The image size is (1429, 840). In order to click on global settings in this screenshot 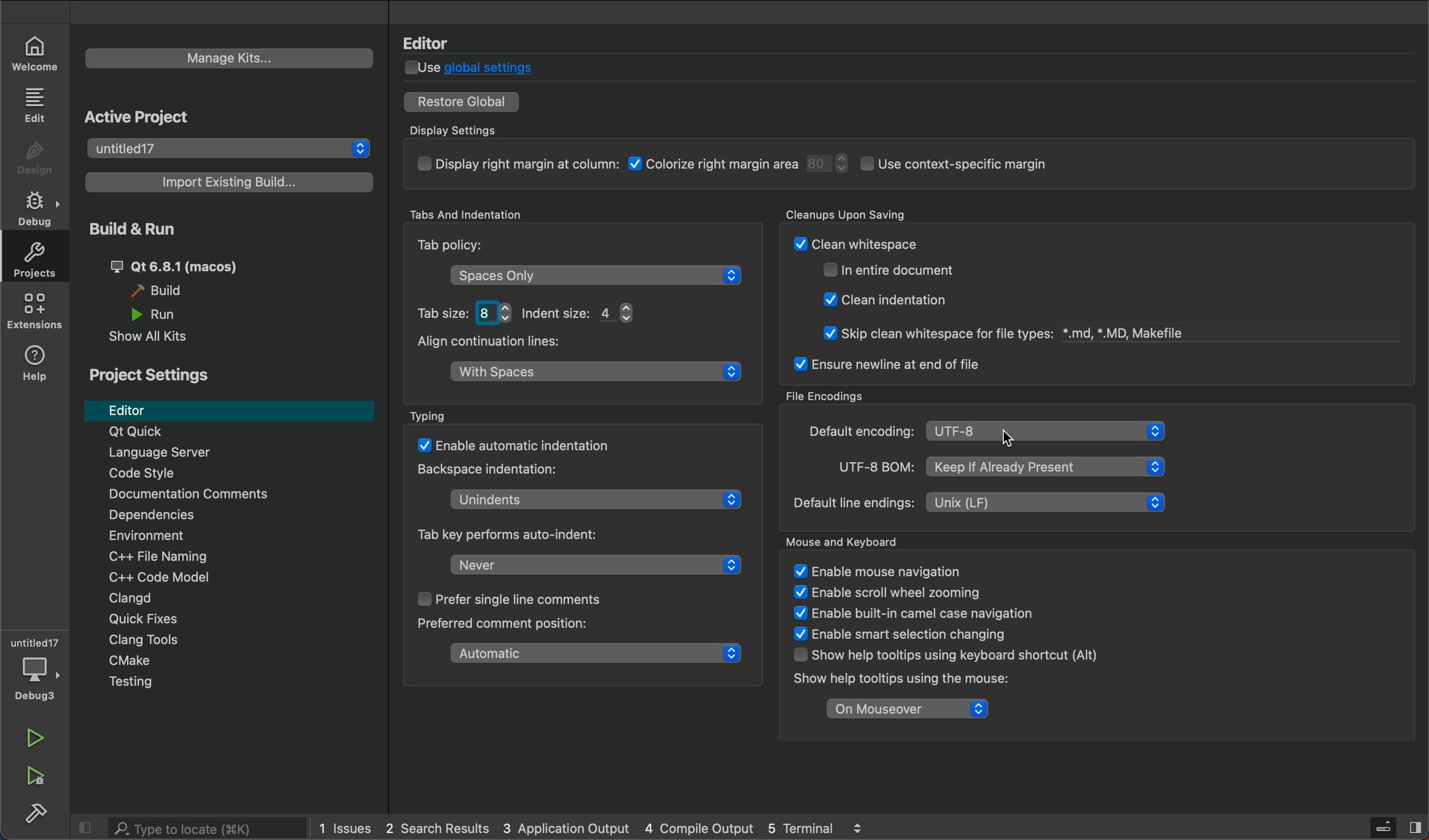, I will do `click(475, 69)`.